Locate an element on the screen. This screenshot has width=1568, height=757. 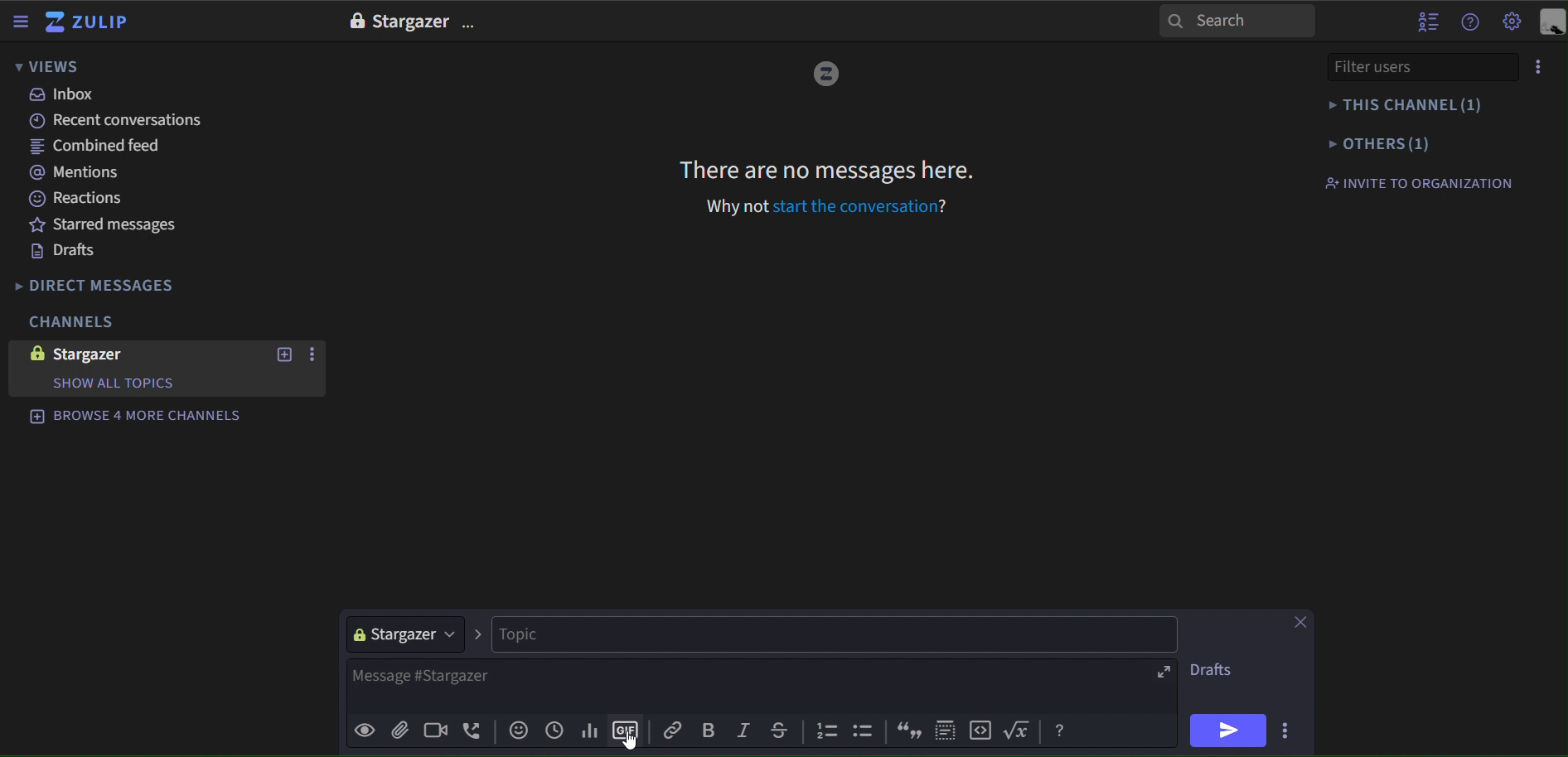
drafts is located at coordinates (64, 252).